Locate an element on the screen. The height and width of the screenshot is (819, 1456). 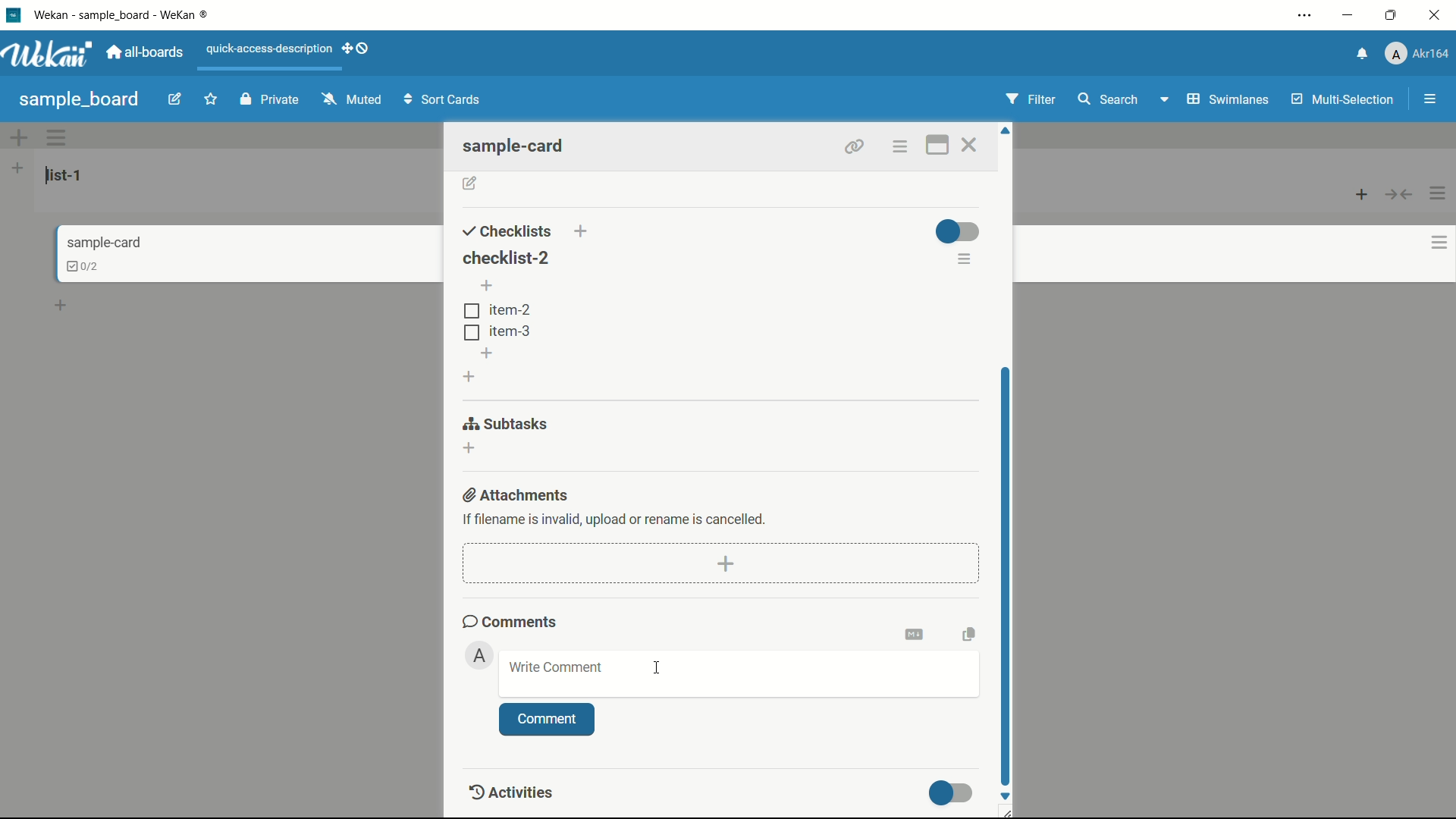
add checklist is located at coordinates (470, 376).